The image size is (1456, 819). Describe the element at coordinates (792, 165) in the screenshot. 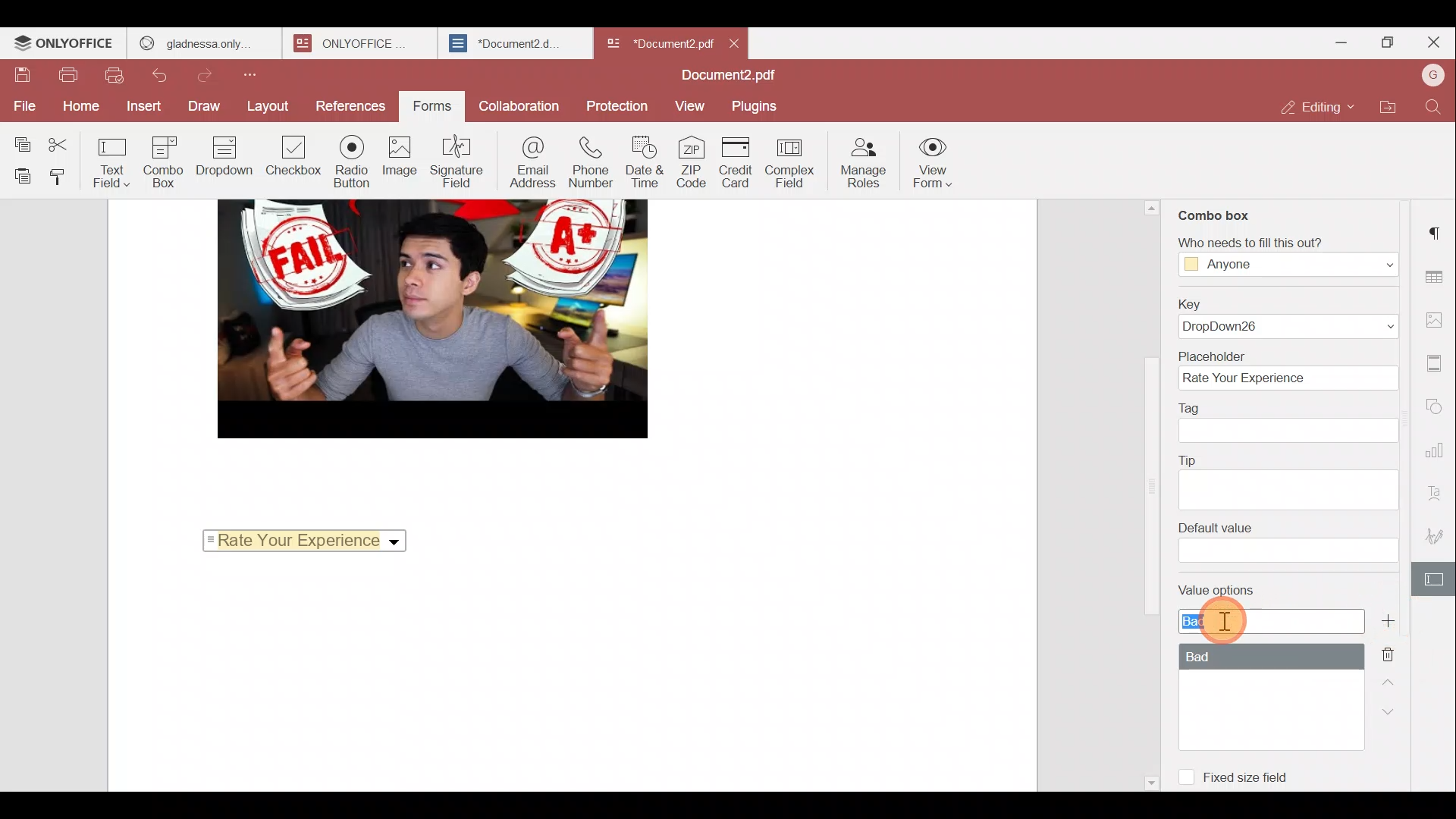

I see `Complex field` at that location.